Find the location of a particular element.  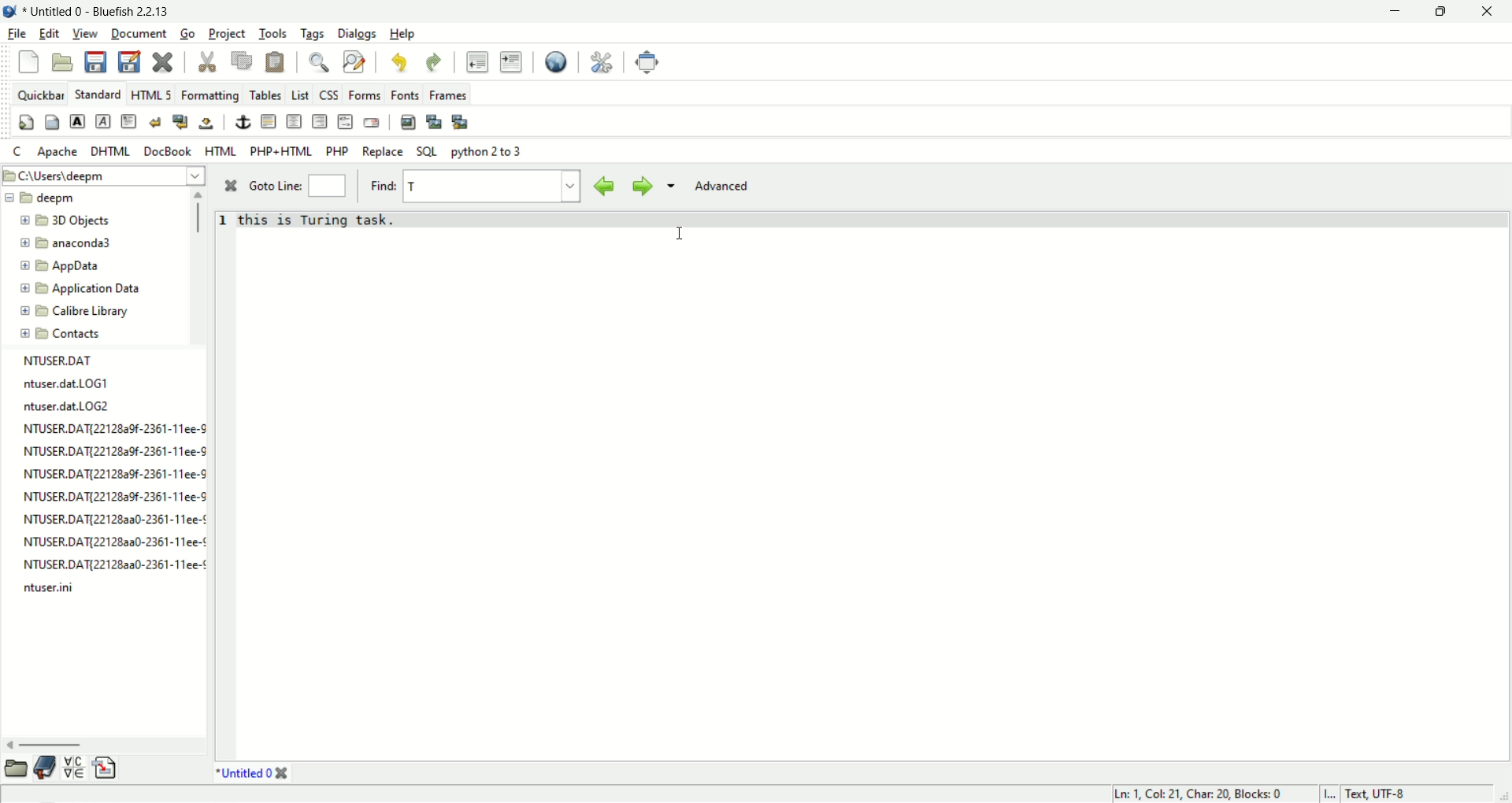

close is located at coordinates (282, 774).